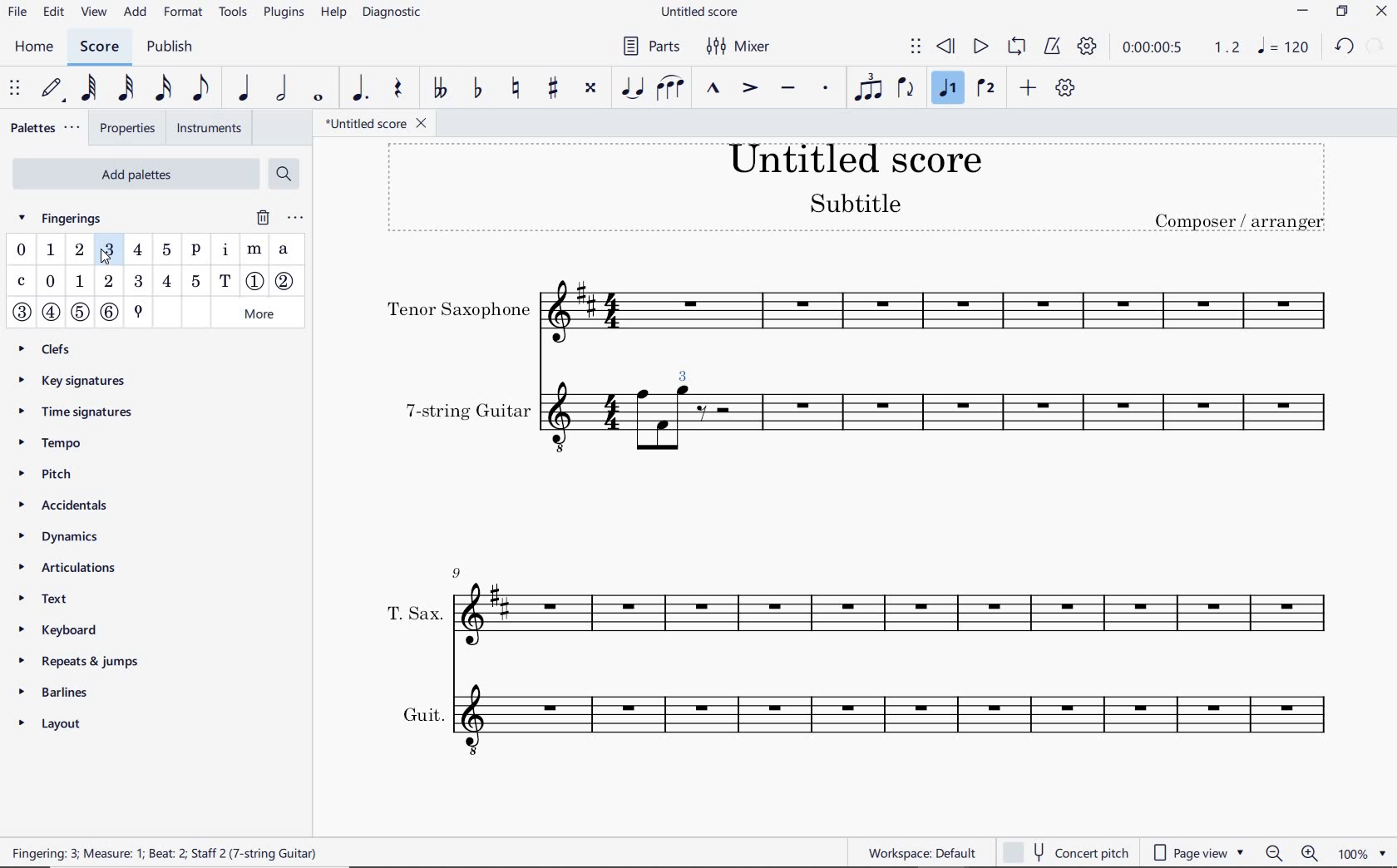  Describe the element at coordinates (261, 313) in the screenshot. I see `more` at that location.